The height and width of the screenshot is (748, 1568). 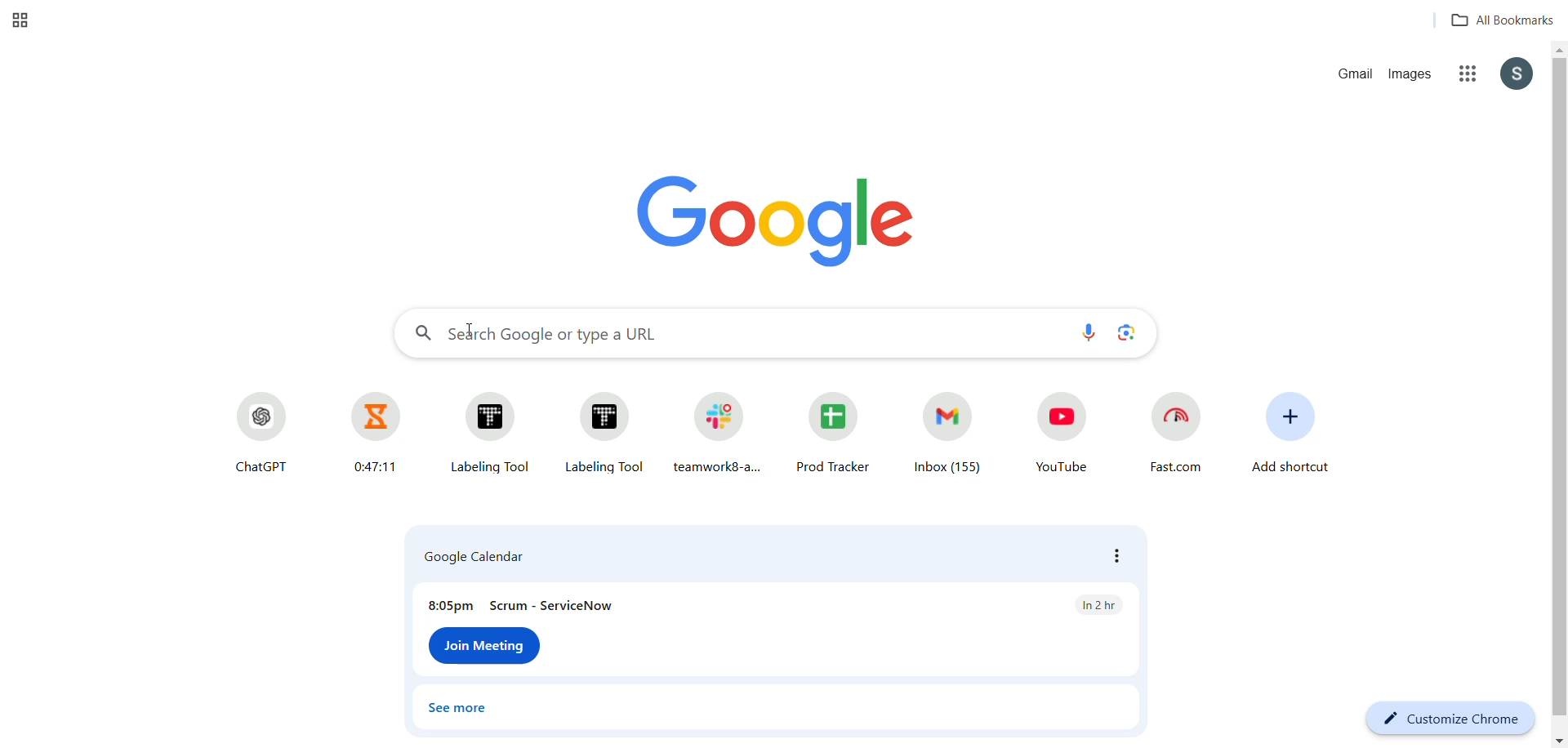 What do you see at coordinates (1557, 395) in the screenshot?
I see `scroll bar` at bounding box center [1557, 395].